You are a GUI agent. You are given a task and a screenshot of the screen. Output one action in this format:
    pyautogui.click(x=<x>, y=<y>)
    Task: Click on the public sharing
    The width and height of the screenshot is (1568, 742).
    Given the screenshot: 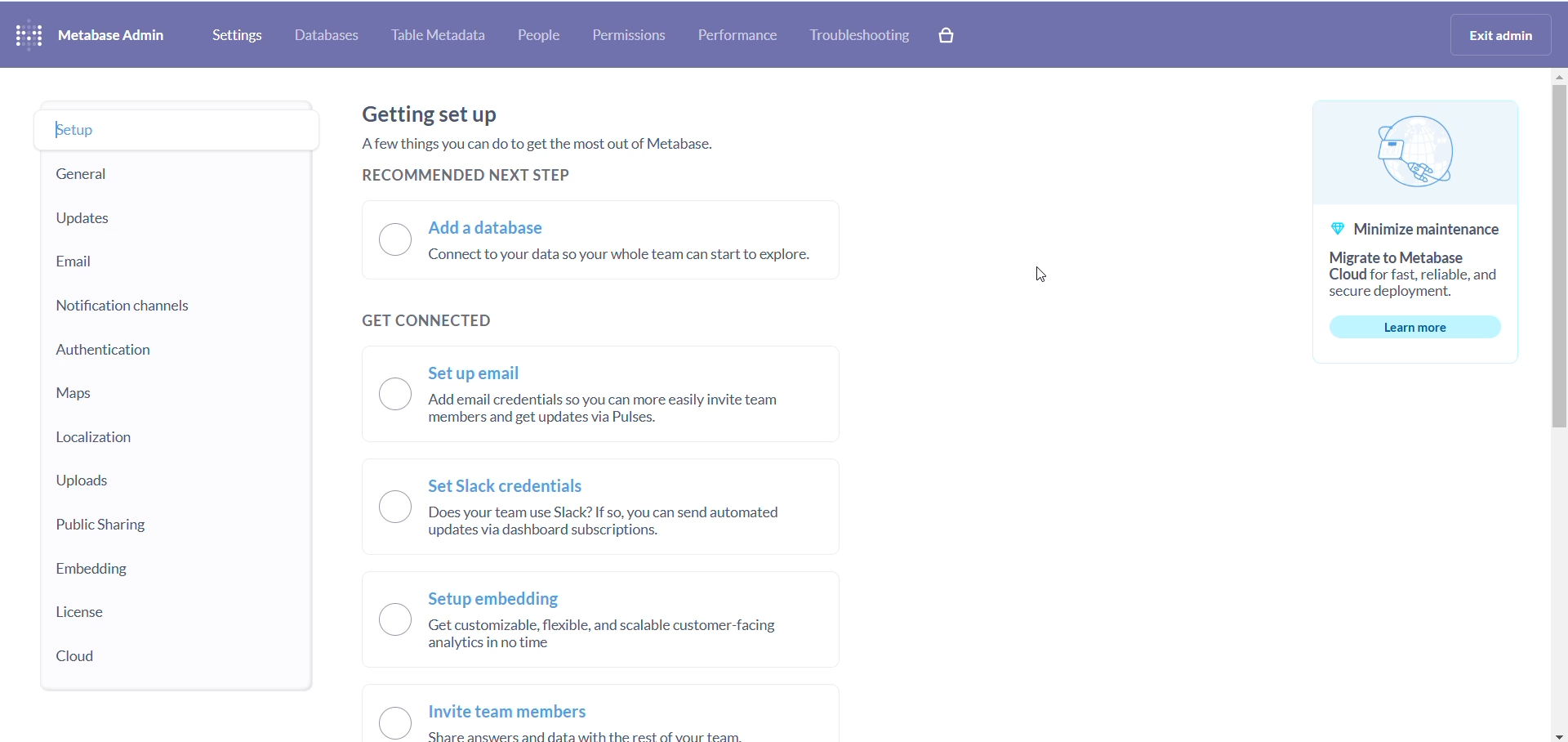 What is the action you would take?
    pyautogui.click(x=100, y=525)
    